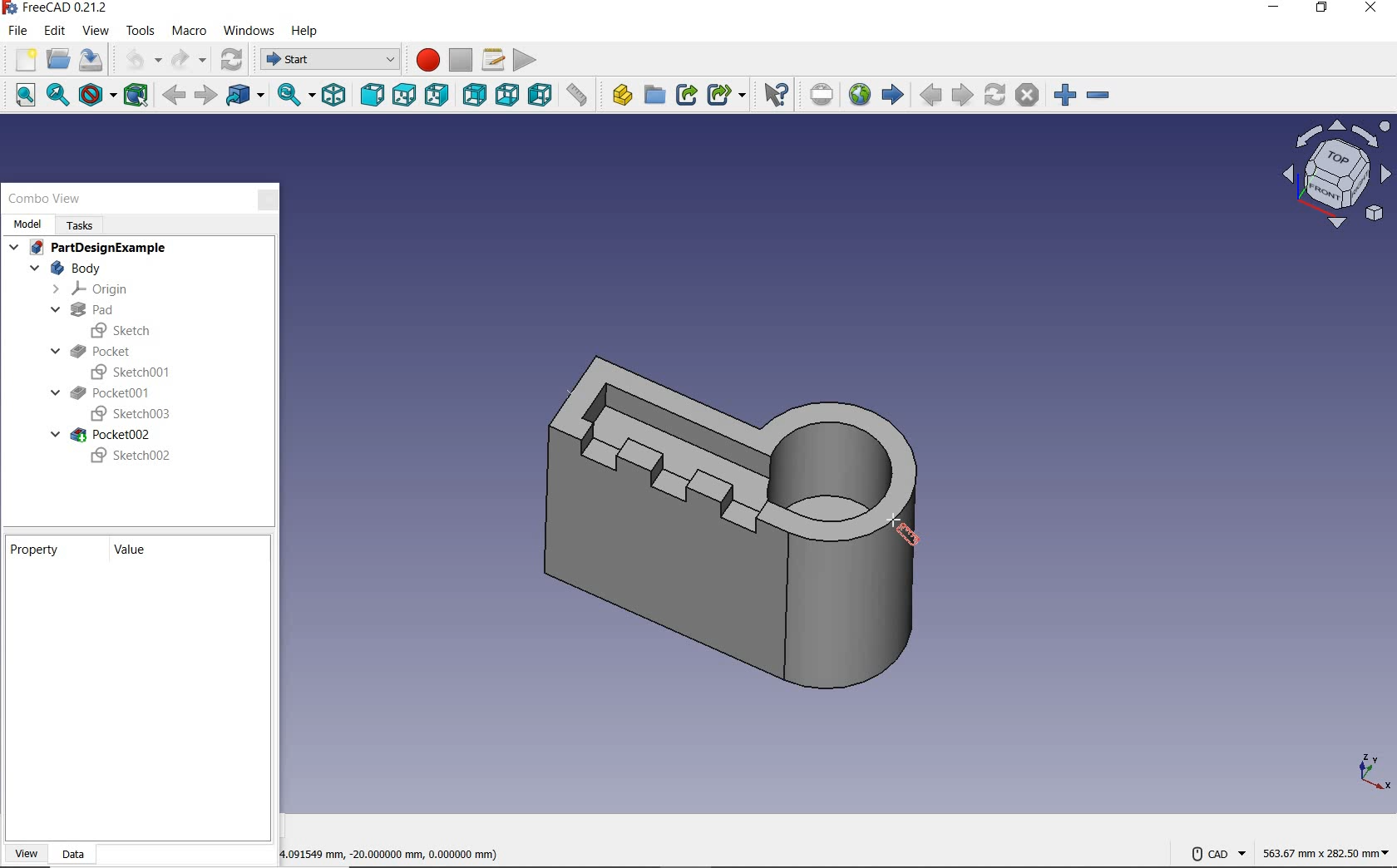 This screenshot has height=868, width=1397. I want to click on next page, so click(961, 96).